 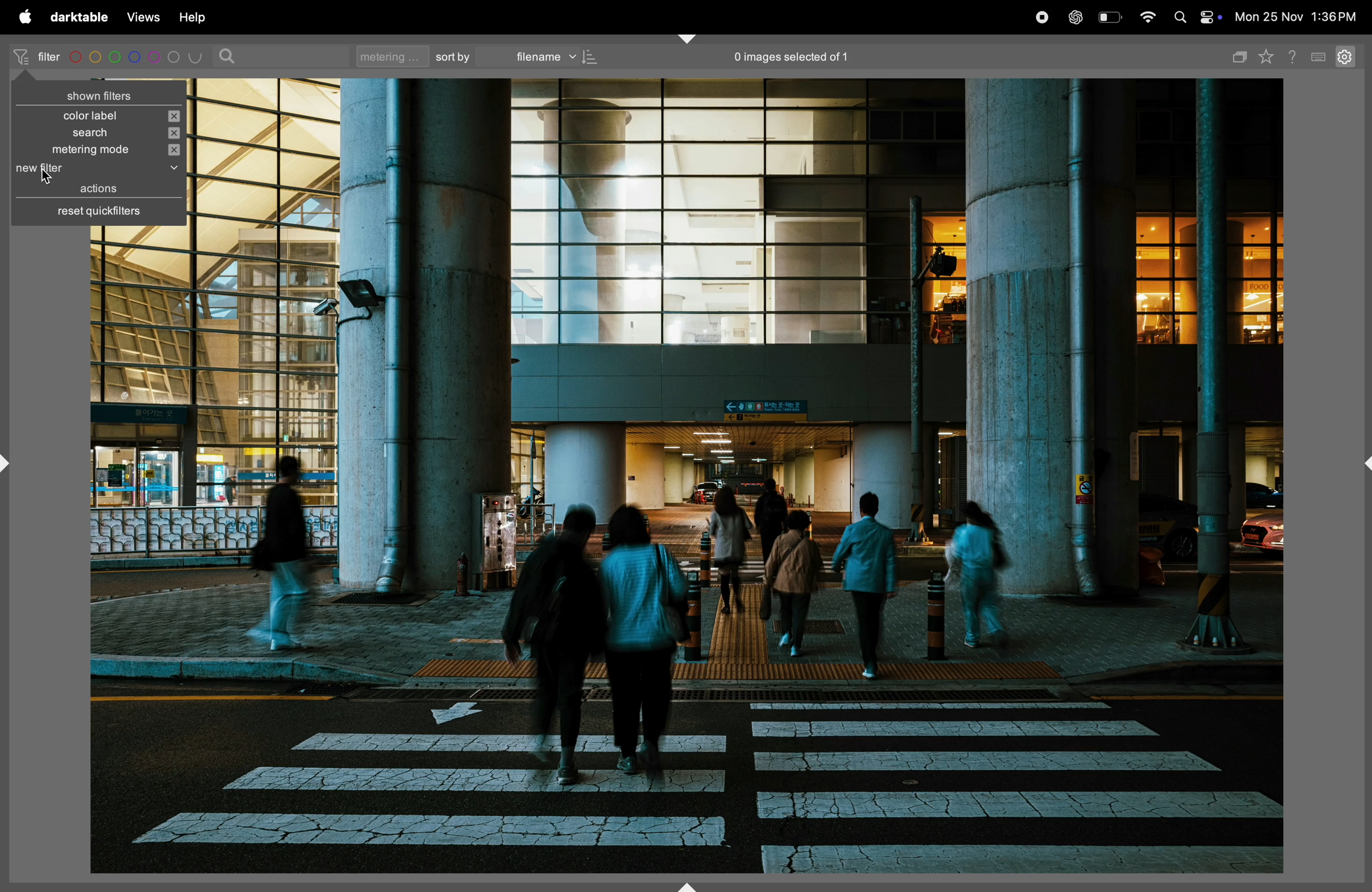 I want to click on battery, so click(x=1111, y=16).